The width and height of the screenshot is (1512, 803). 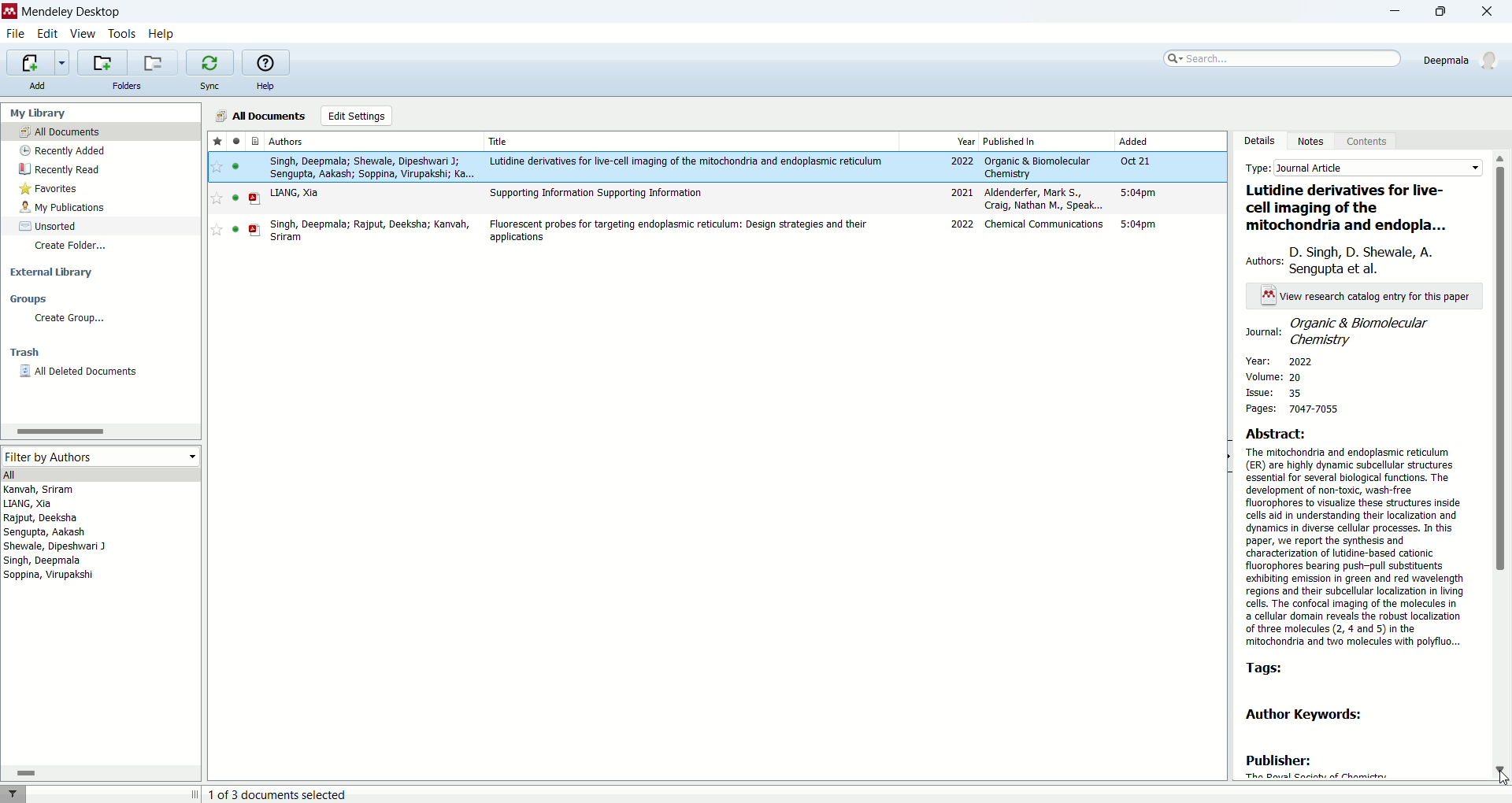 I want to click on online help guide for mendeley, so click(x=264, y=61).